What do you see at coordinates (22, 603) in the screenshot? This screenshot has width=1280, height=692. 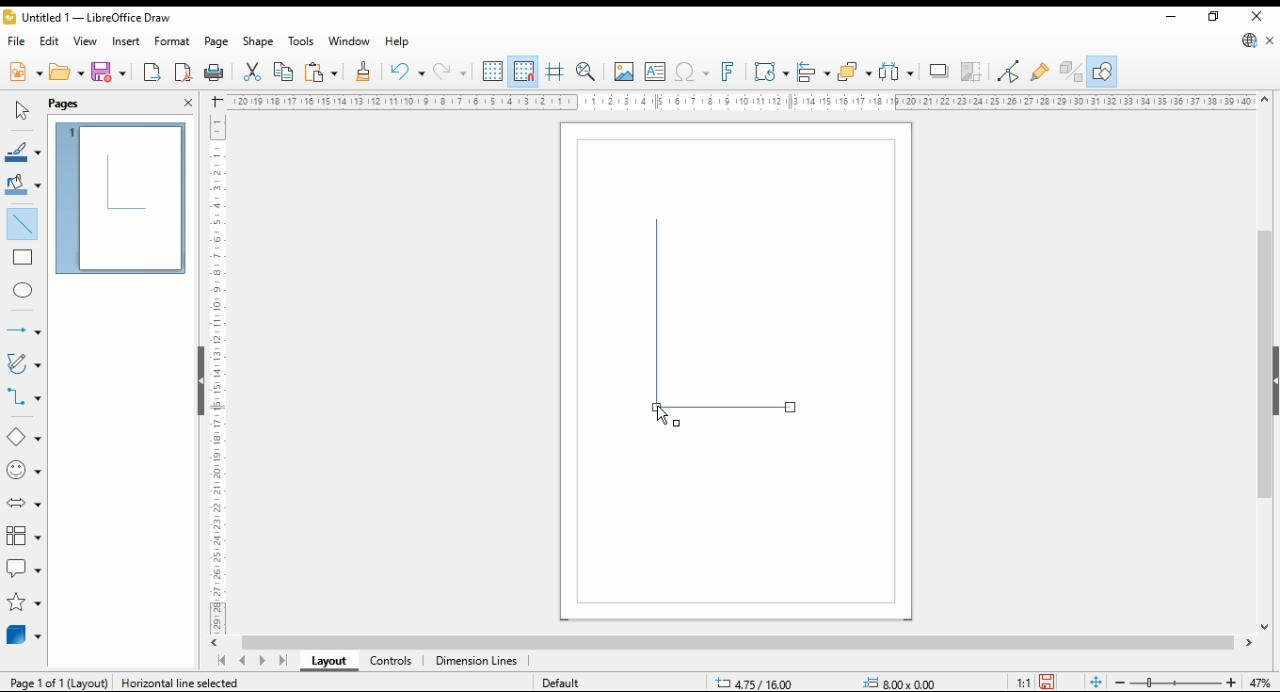 I see `stars and banners` at bounding box center [22, 603].